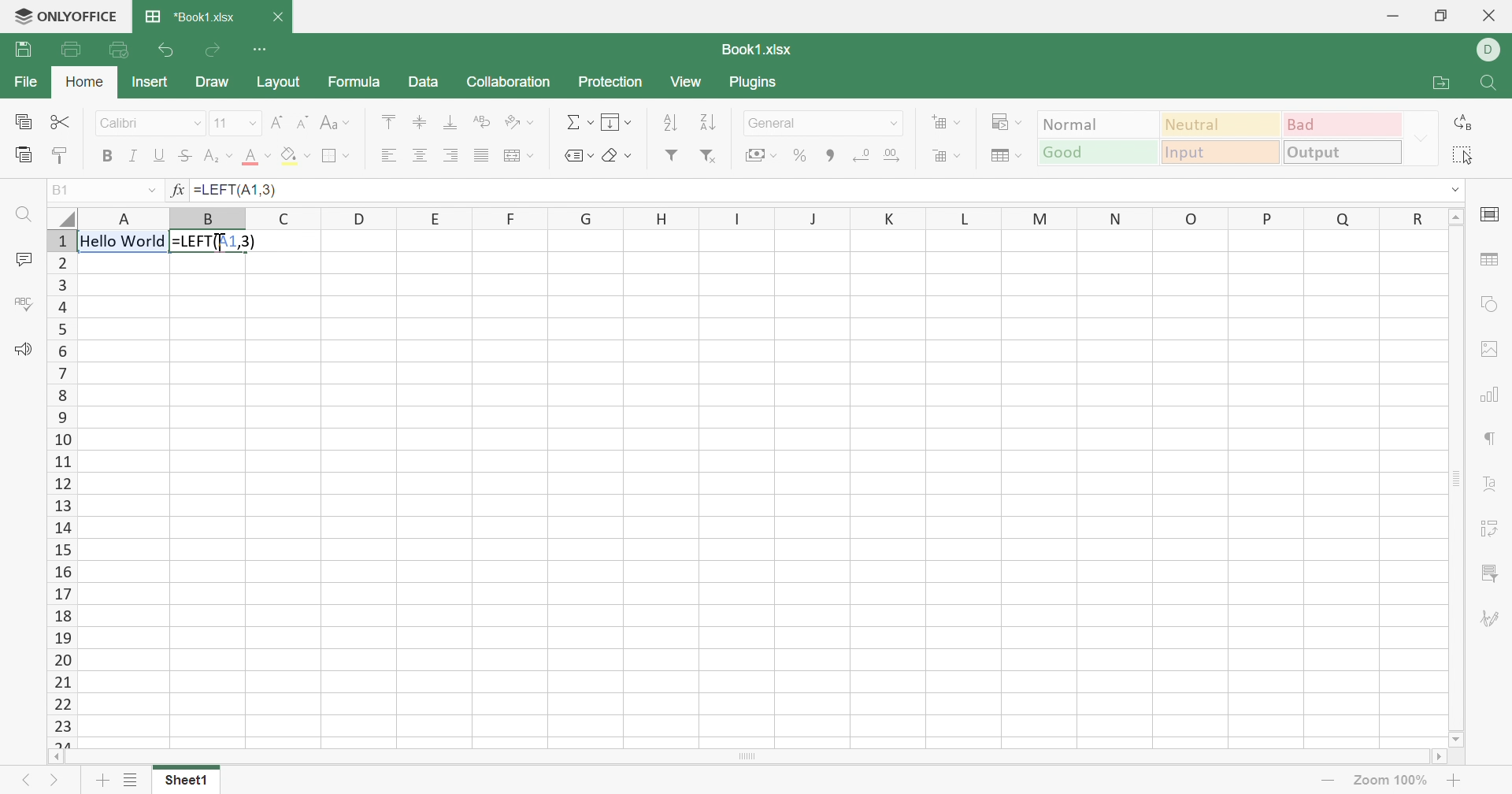 The width and height of the screenshot is (1512, 794). Describe the element at coordinates (22, 216) in the screenshot. I see `Find` at that location.